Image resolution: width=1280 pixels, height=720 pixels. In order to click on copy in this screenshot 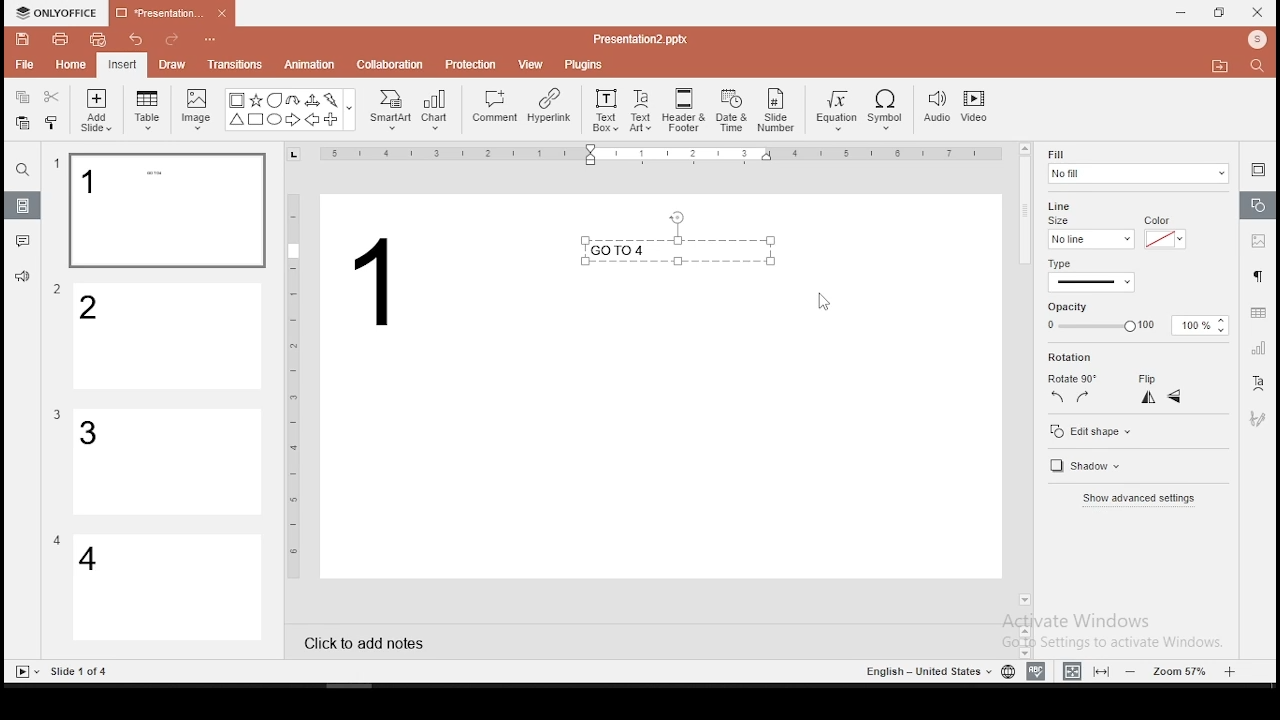, I will do `click(22, 97)`.